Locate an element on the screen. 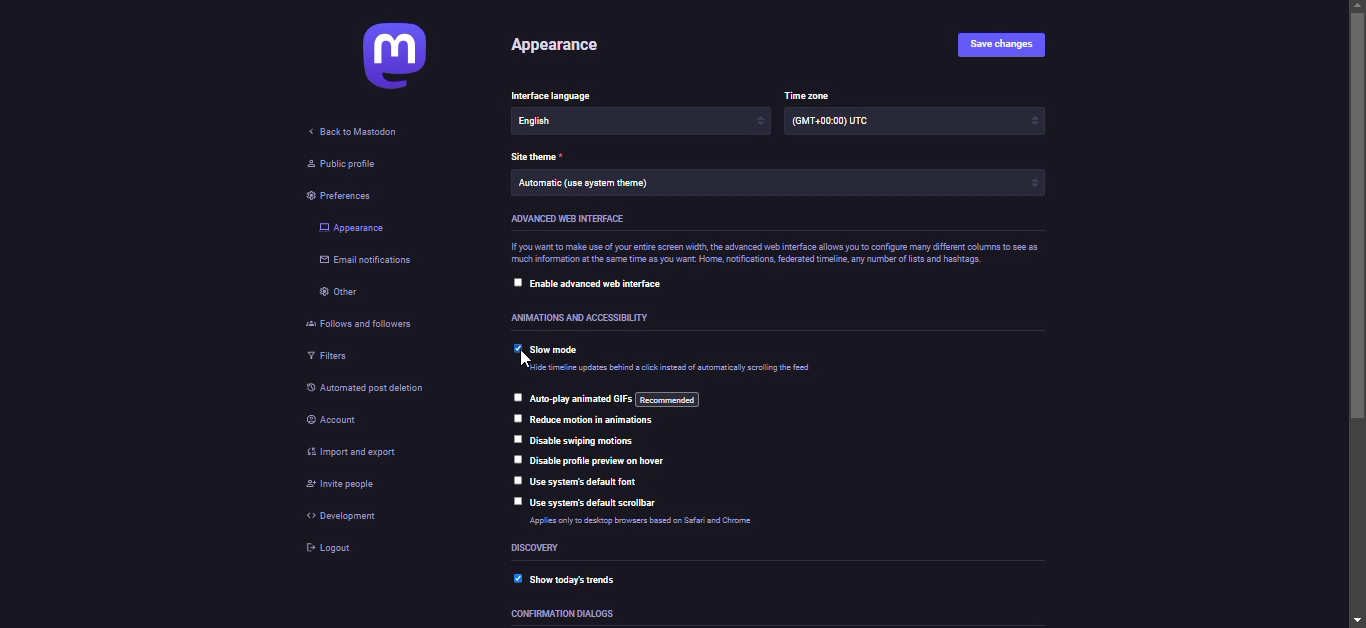 Image resolution: width=1366 pixels, height=628 pixels. click to select is located at coordinates (516, 439).